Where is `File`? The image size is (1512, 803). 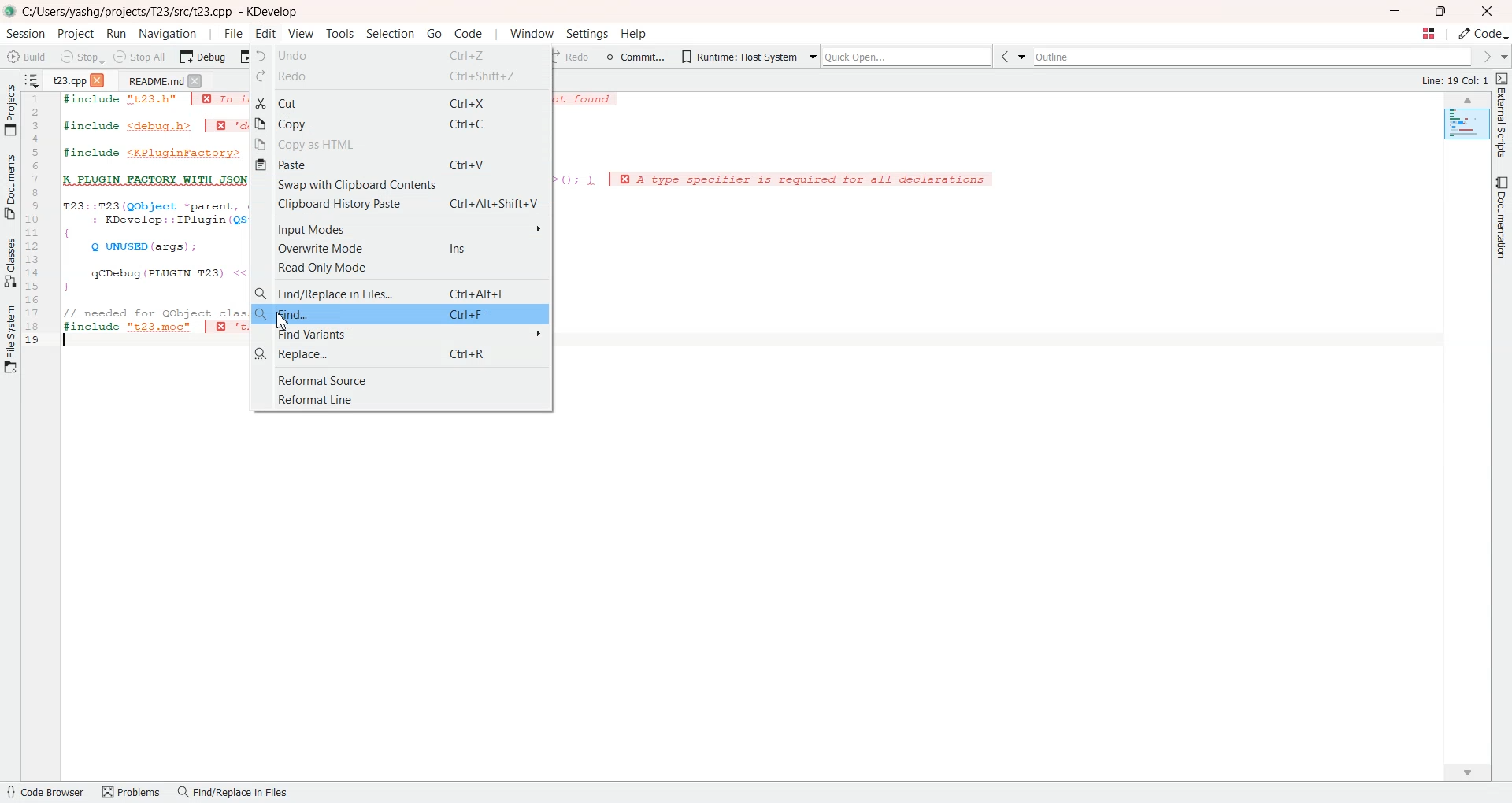
File is located at coordinates (233, 33).